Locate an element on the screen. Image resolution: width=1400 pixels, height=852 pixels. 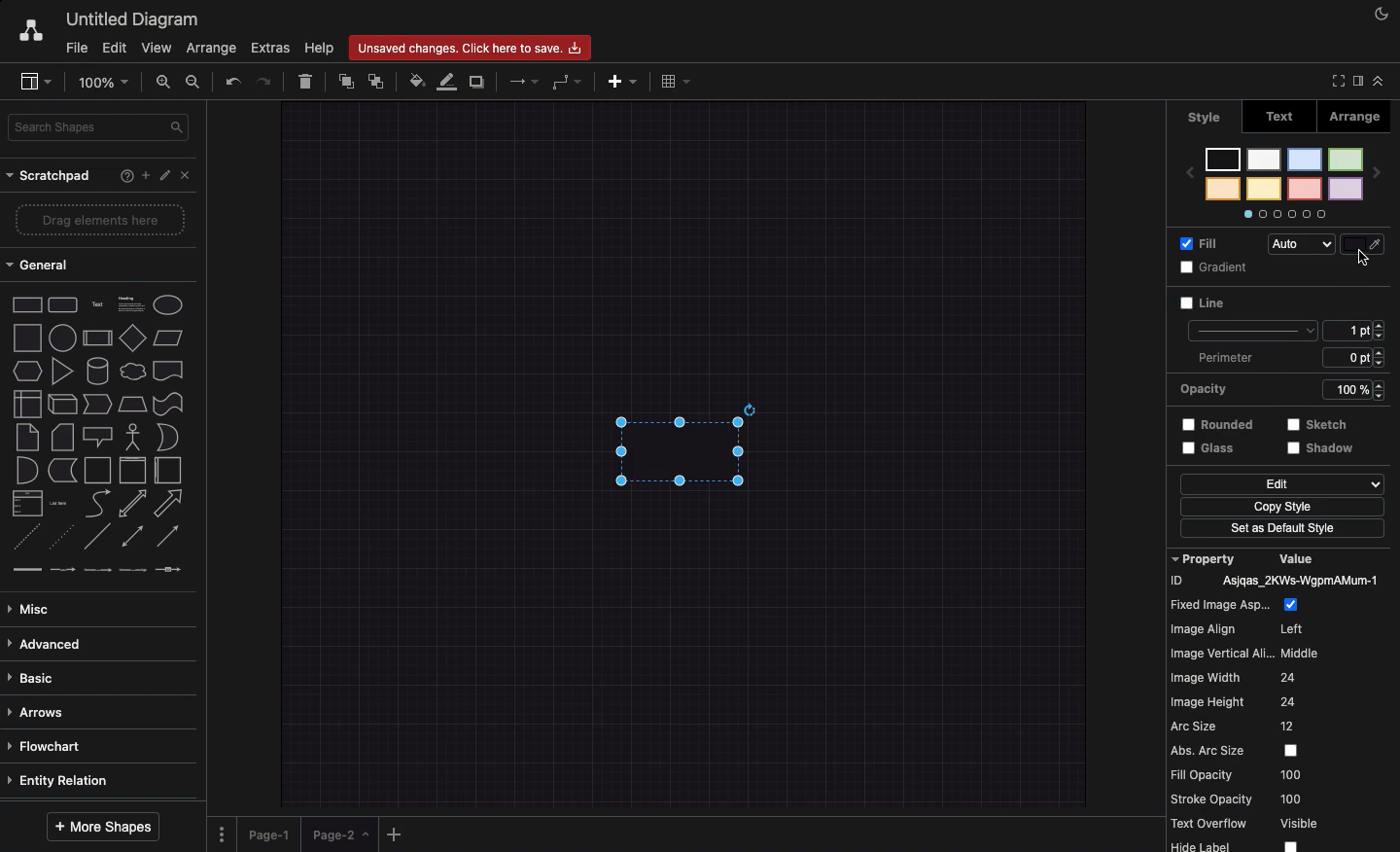
actor is located at coordinates (133, 436).